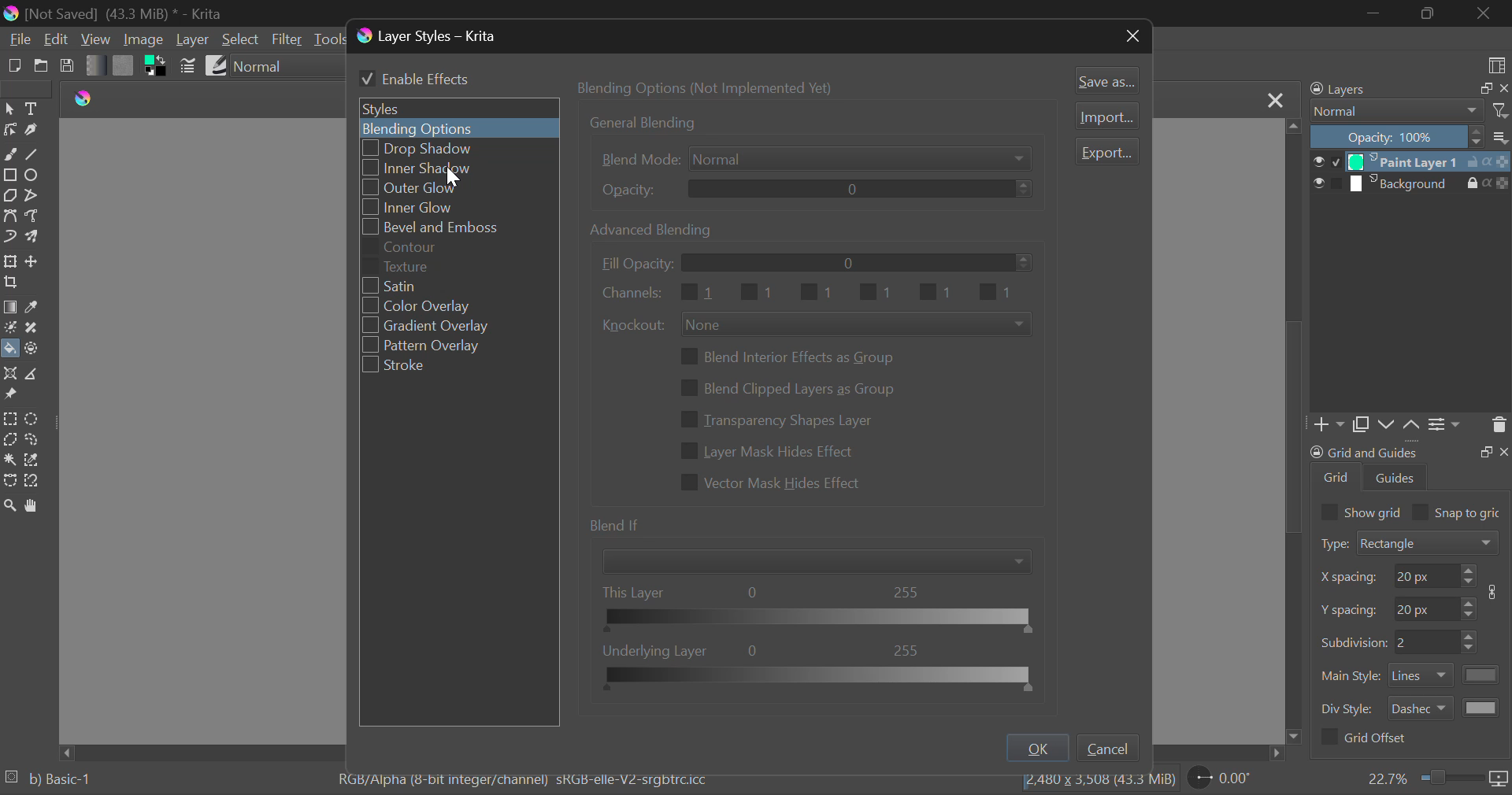 This screenshot has width=1512, height=795. What do you see at coordinates (9, 441) in the screenshot?
I see `Polygon Selection` at bounding box center [9, 441].